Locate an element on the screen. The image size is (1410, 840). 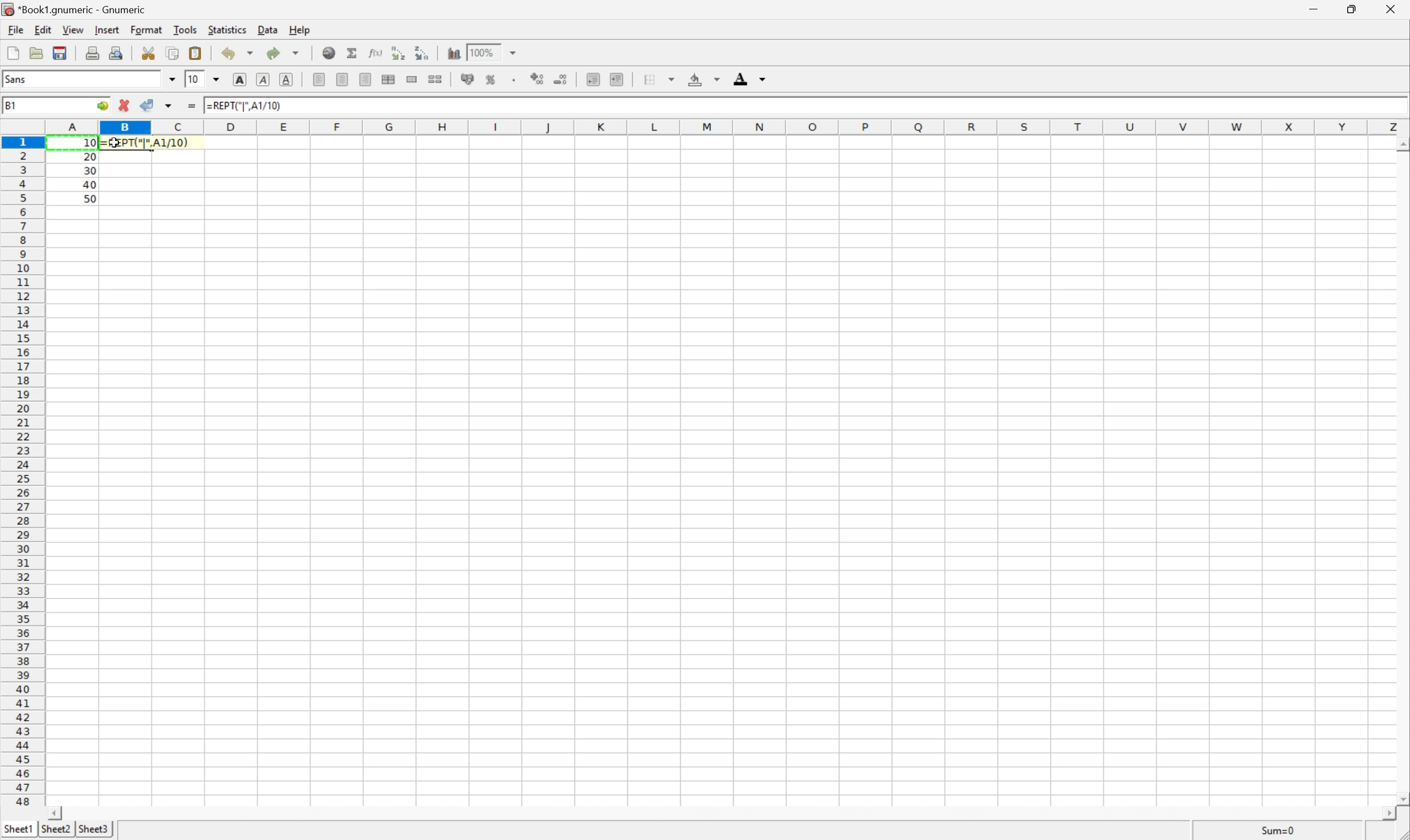
Insert a hyperlink is located at coordinates (330, 53).